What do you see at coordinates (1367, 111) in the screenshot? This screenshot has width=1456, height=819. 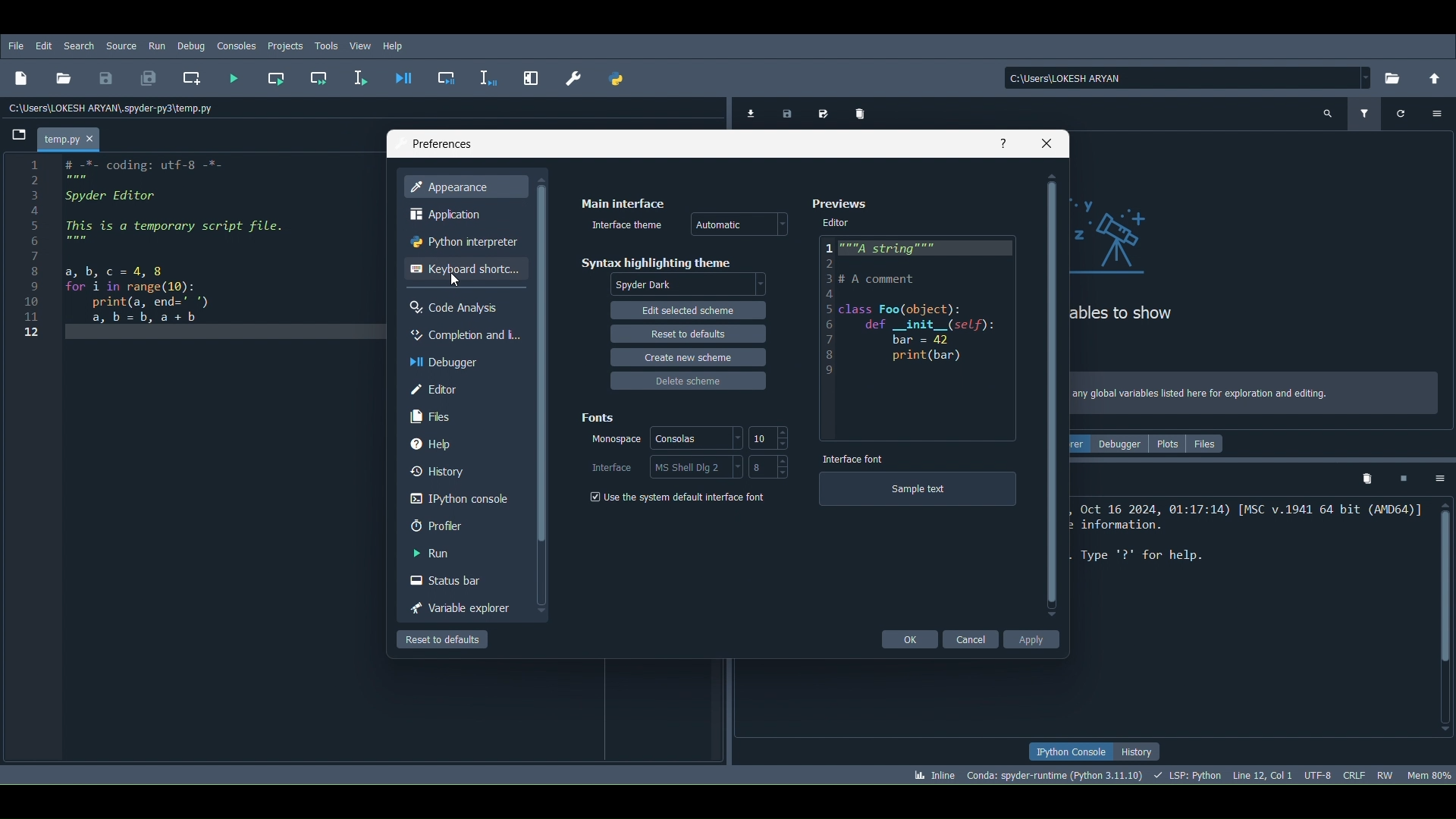 I see `Filter variables` at bounding box center [1367, 111].